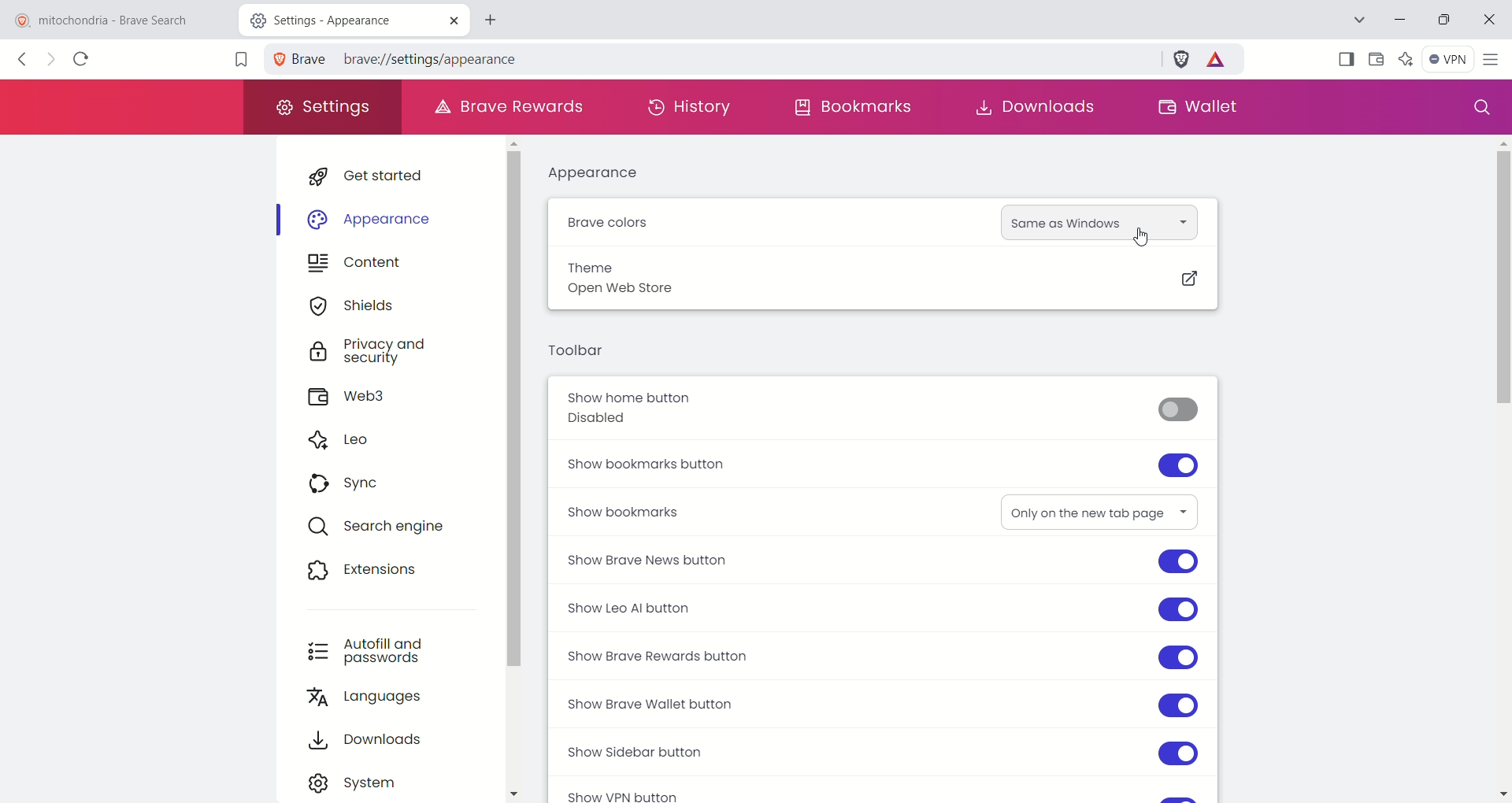  What do you see at coordinates (1406, 56) in the screenshot?
I see `leo AI` at bounding box center [1406, 56].